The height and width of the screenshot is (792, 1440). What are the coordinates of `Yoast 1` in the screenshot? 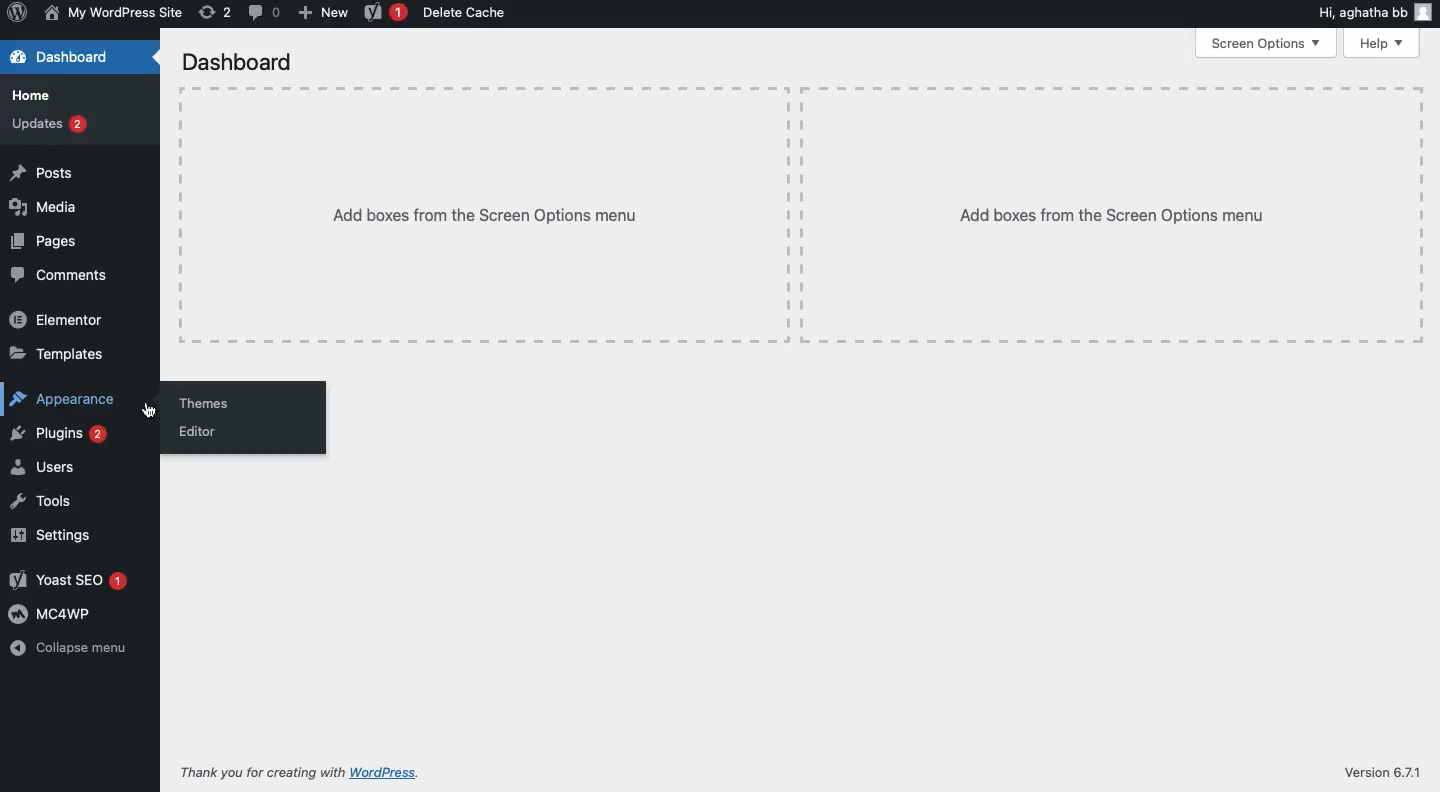 It's located at (385, 13).